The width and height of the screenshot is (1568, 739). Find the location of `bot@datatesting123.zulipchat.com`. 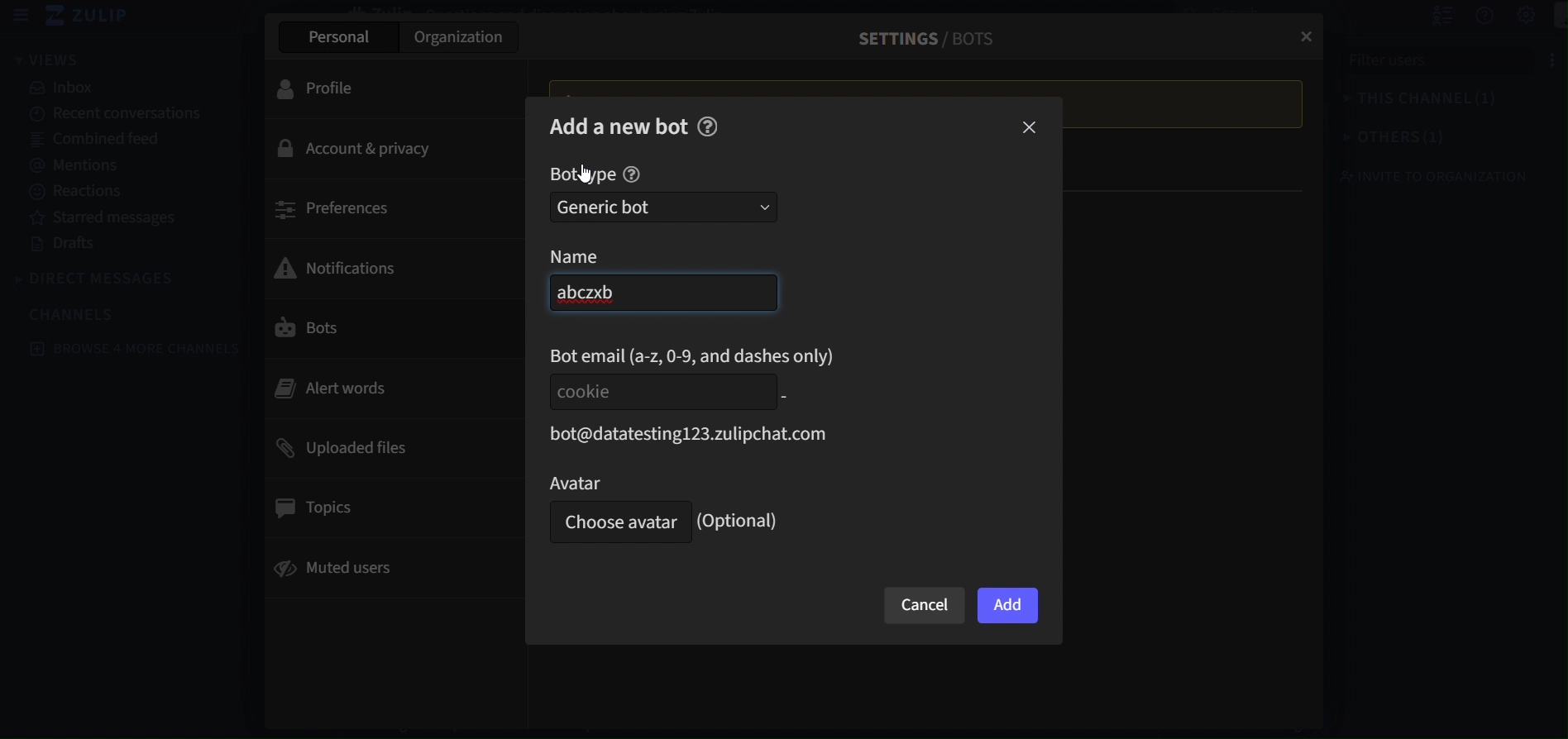

bot@datatesting123.zulipchat.com is located at coordinates (683, 435).